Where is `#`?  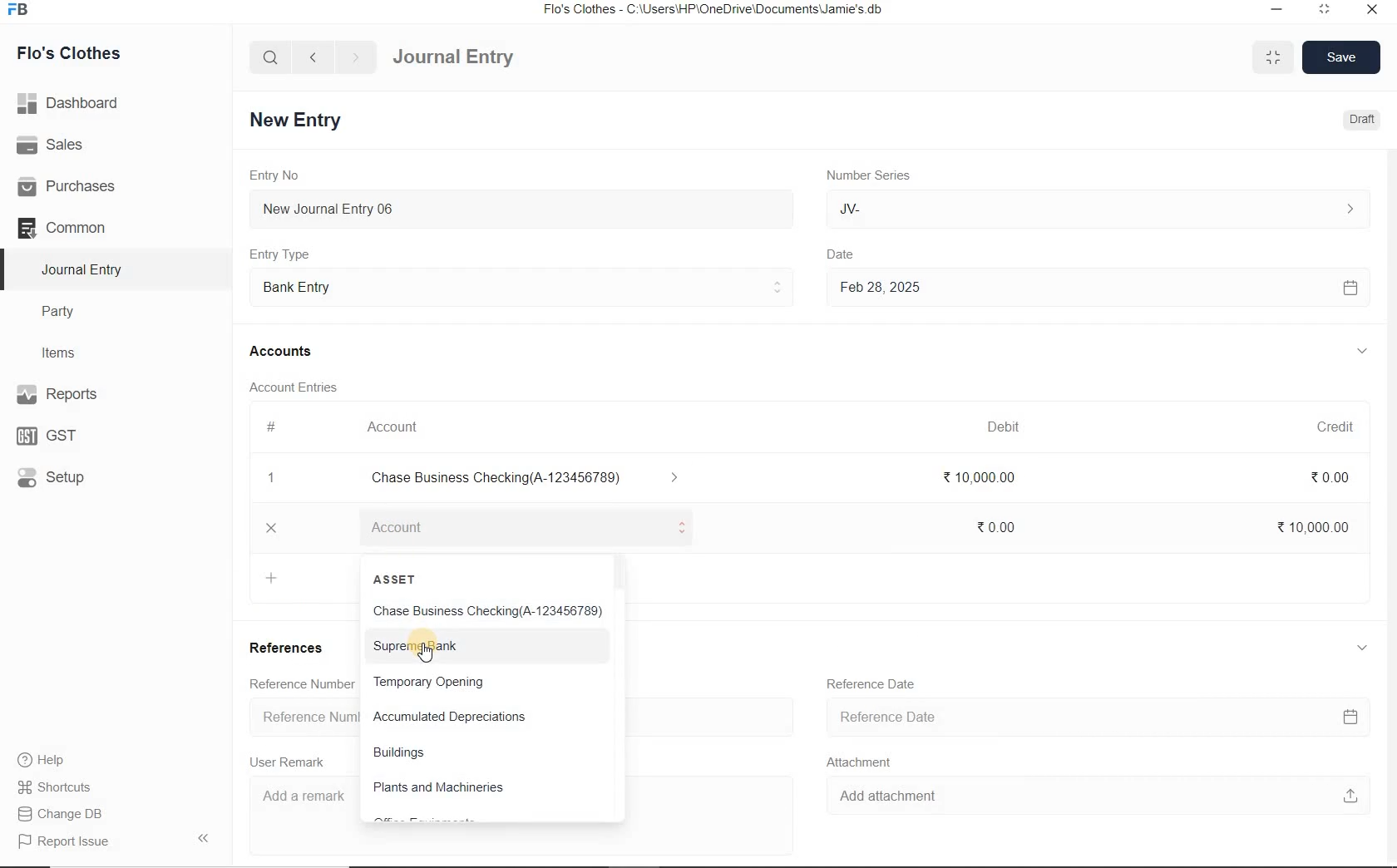 # is located at coordinates (272, 427).